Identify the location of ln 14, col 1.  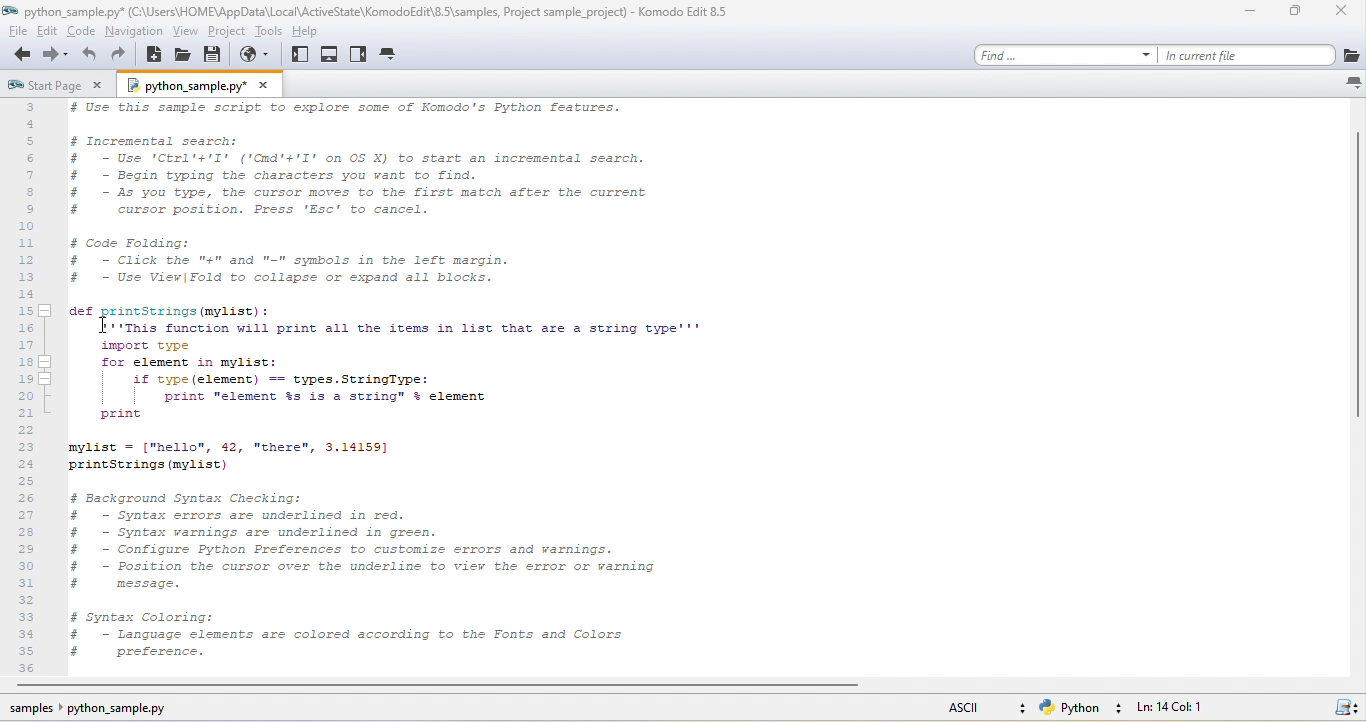
(1207, 708).